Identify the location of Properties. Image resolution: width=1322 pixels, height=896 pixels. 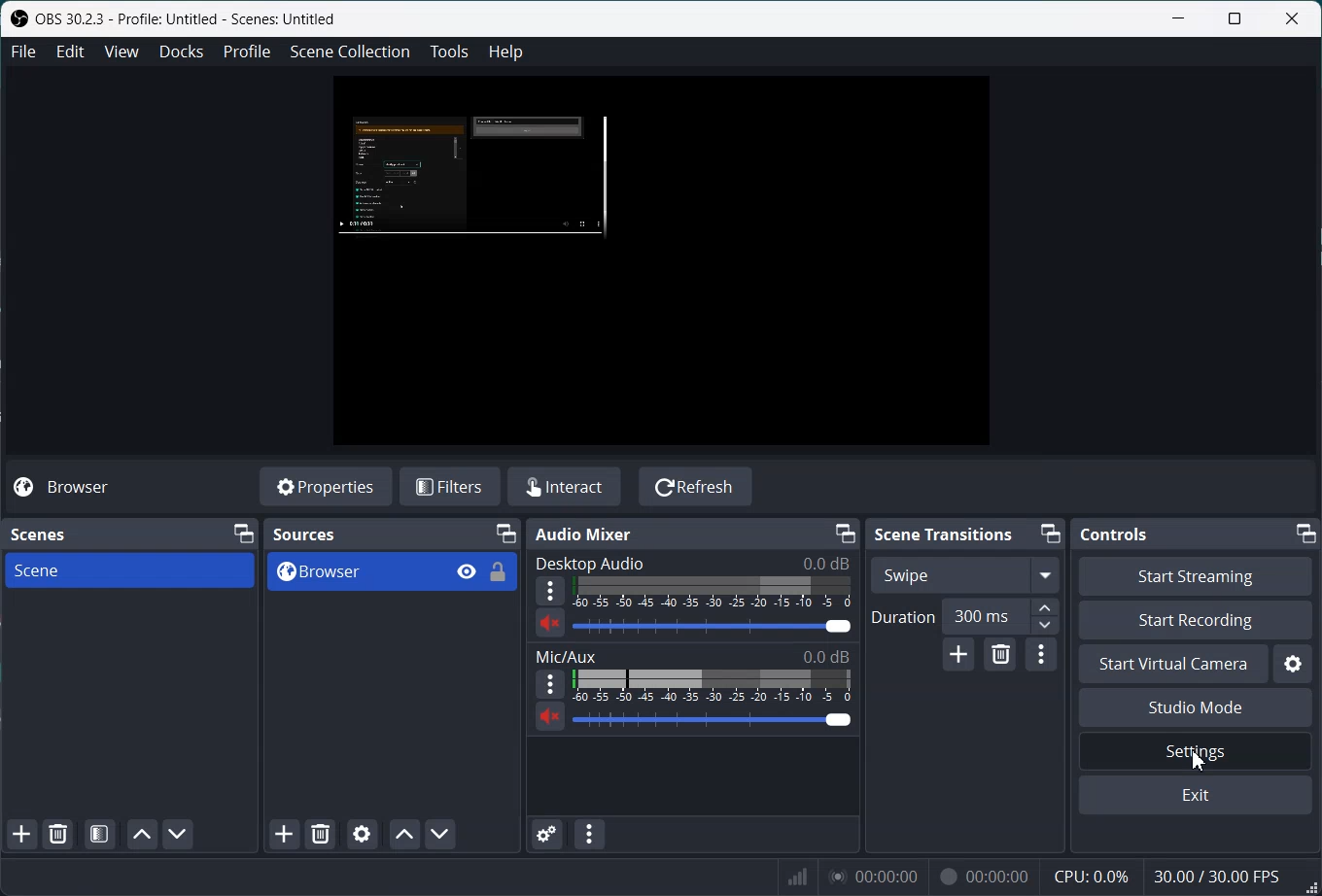
(324, 487).